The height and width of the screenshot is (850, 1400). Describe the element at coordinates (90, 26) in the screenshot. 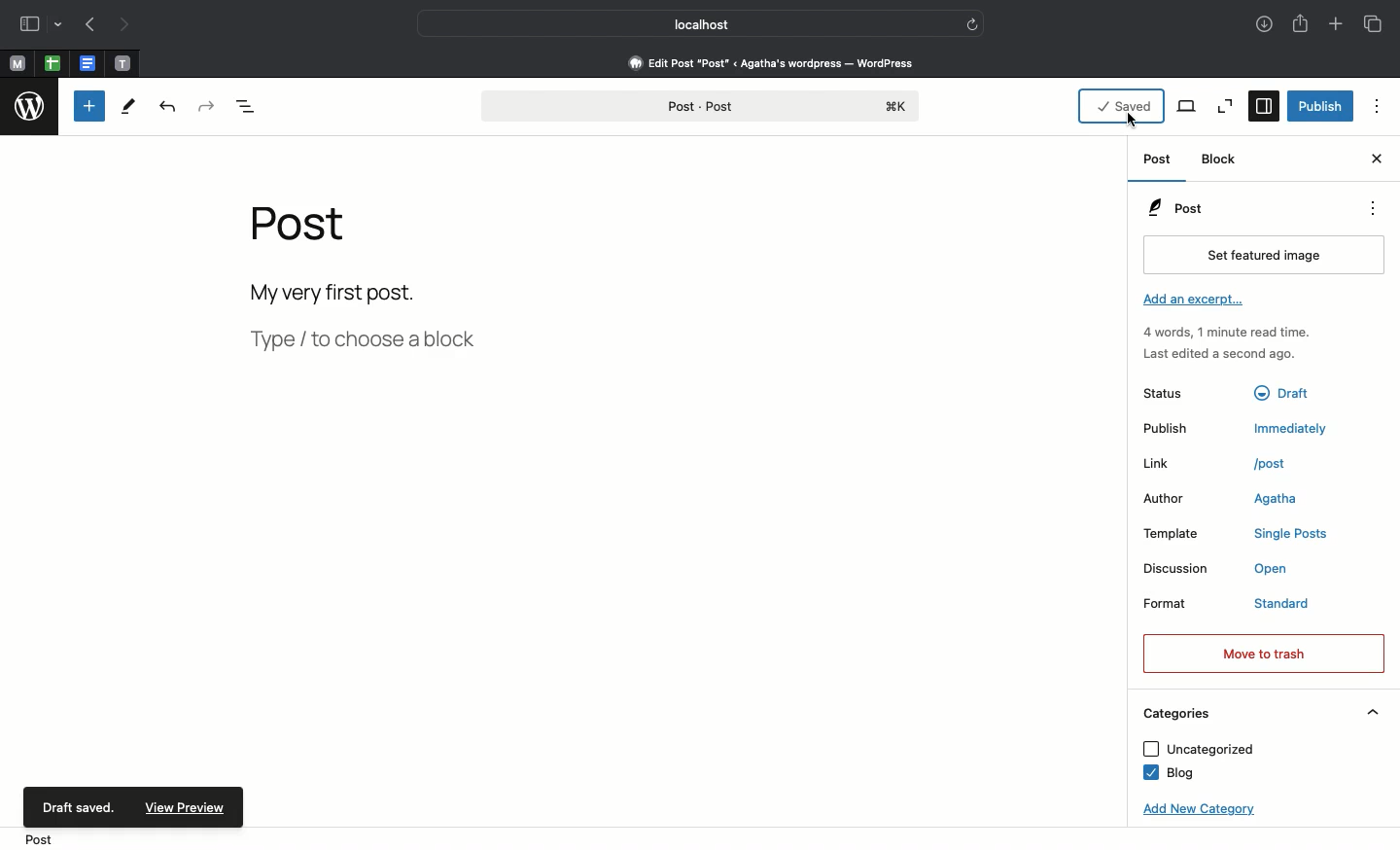

I see `Previous page` at that location.